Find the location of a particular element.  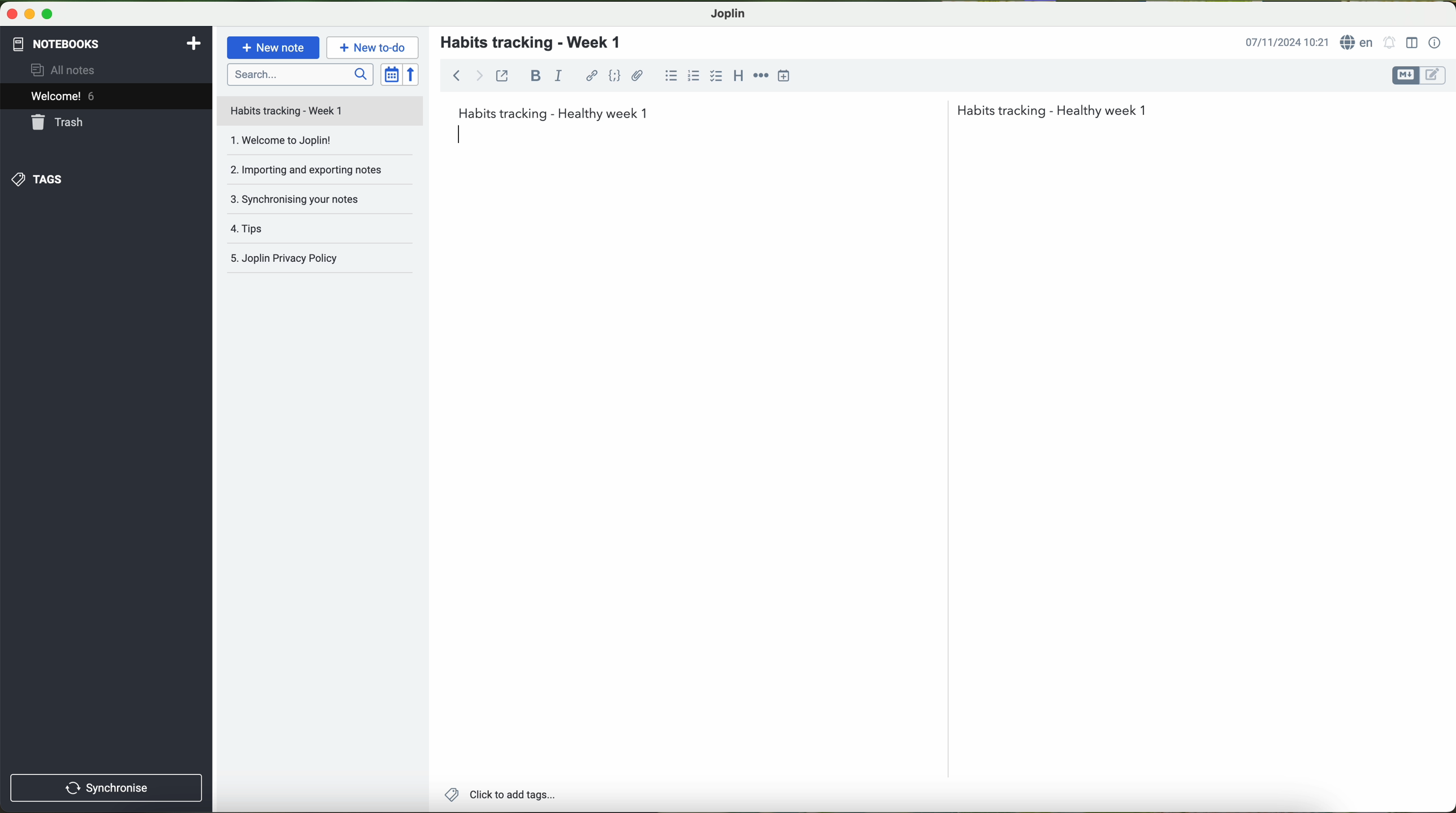

bold is located at coordinates (536, 76).